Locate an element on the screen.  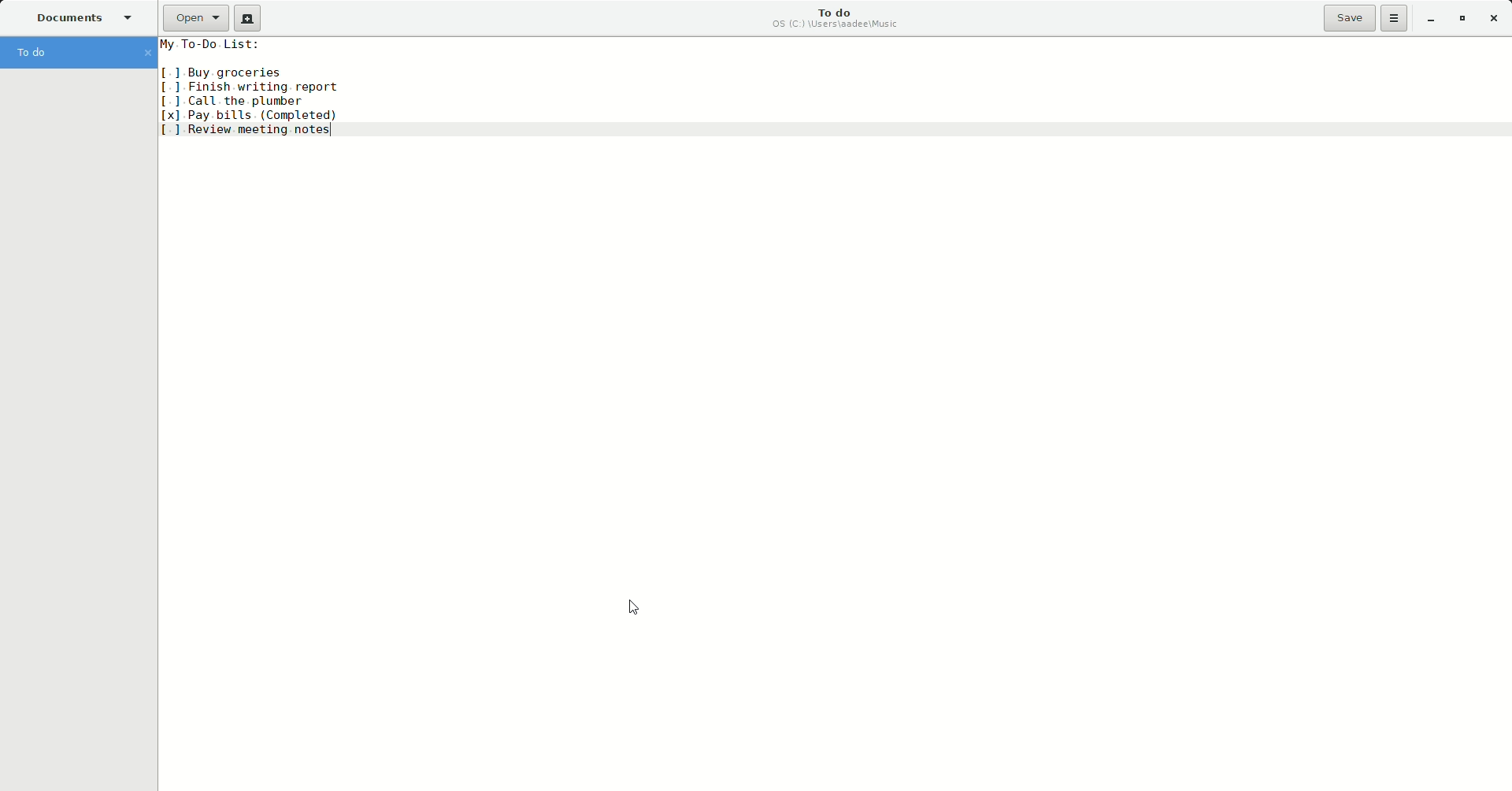
New is located at coordinates (247, 19).